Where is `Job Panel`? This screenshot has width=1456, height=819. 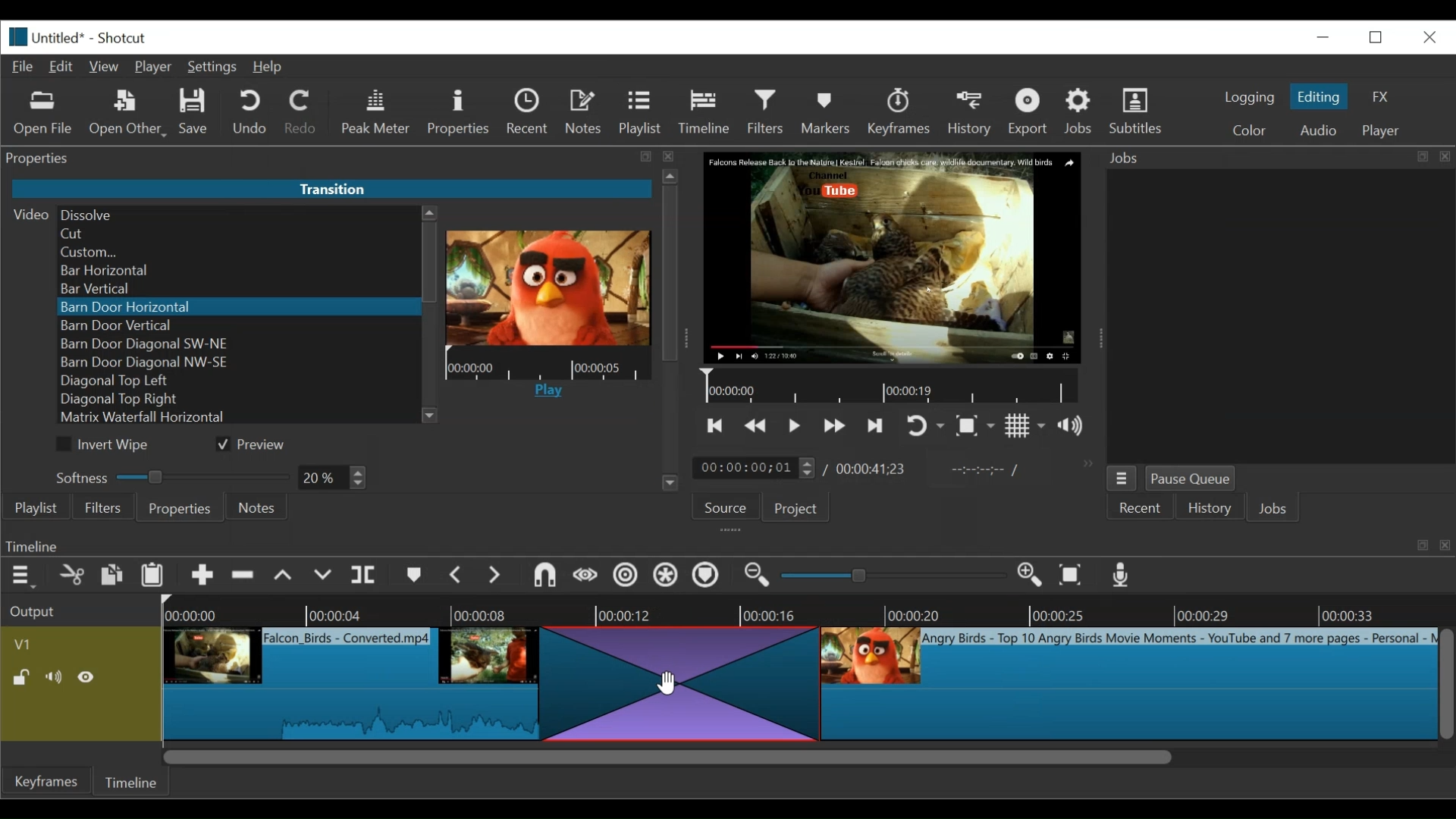 Job Panel is located at coordinates (1279, 317).